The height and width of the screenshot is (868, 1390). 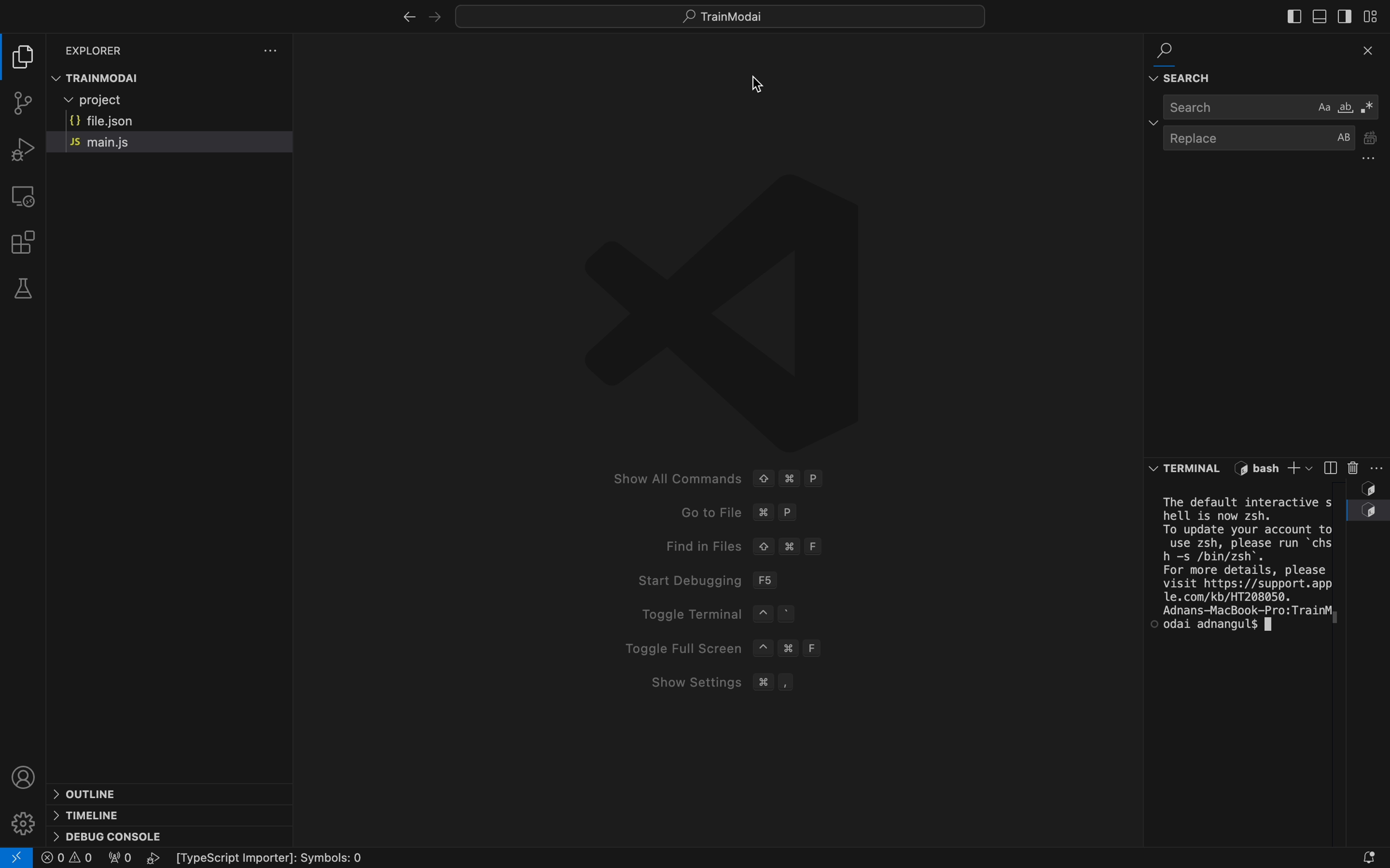 I want to click on add terminal, so click(x=1300, y=468).